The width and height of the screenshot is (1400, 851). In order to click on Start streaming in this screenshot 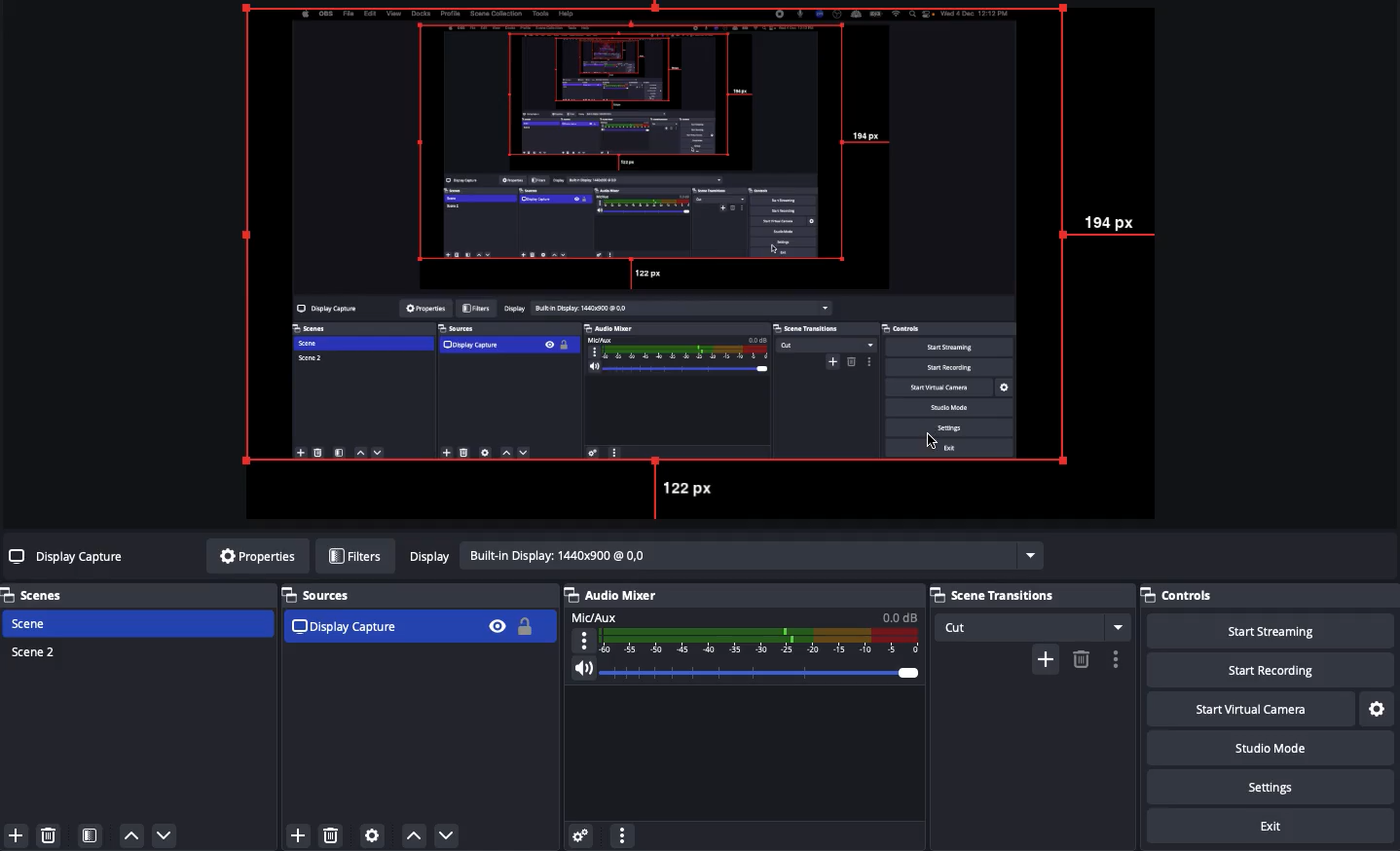, I will do `click(1286, 631)`.